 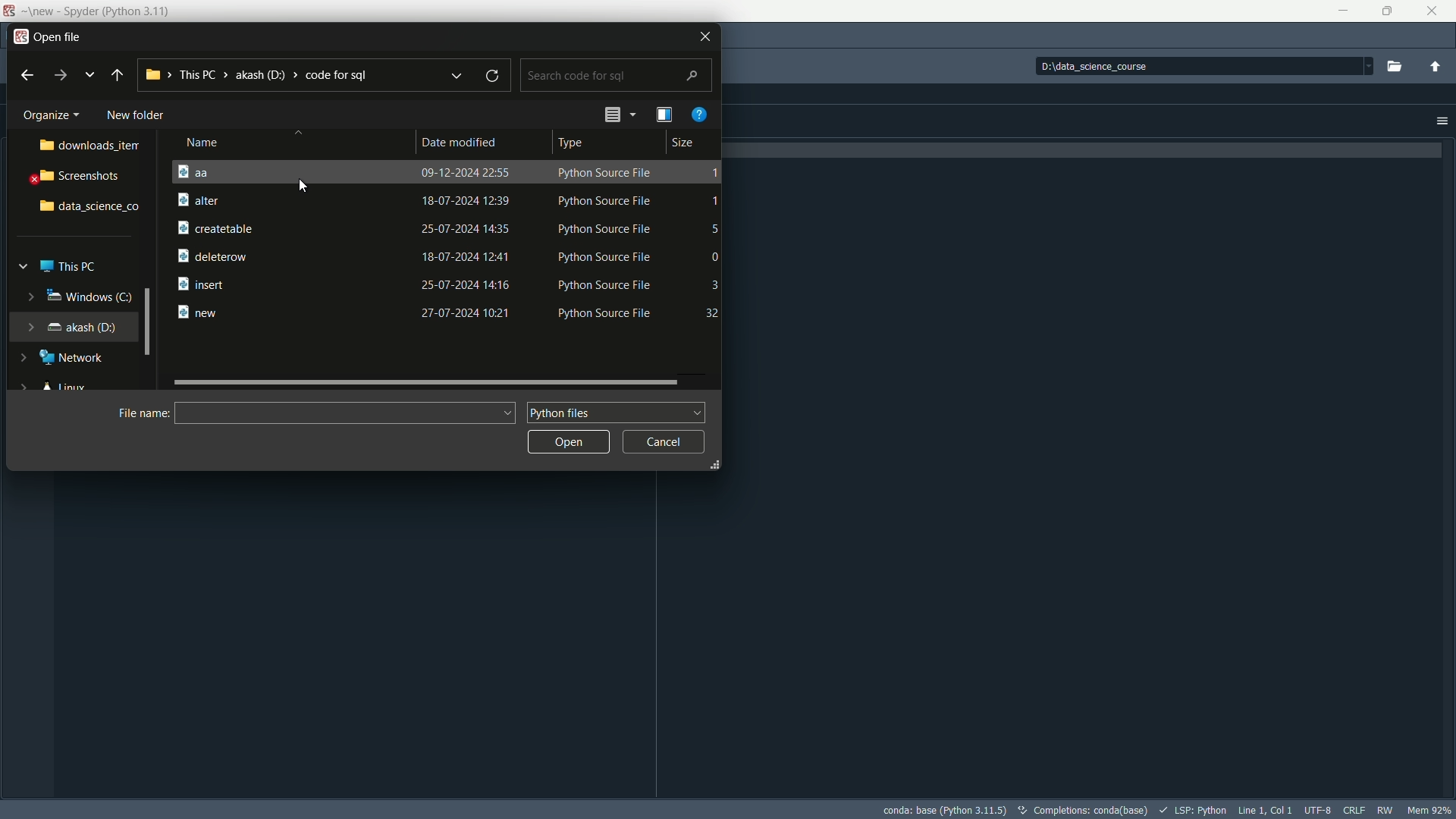 I want to click on Previous, so click(x=26, y=75).